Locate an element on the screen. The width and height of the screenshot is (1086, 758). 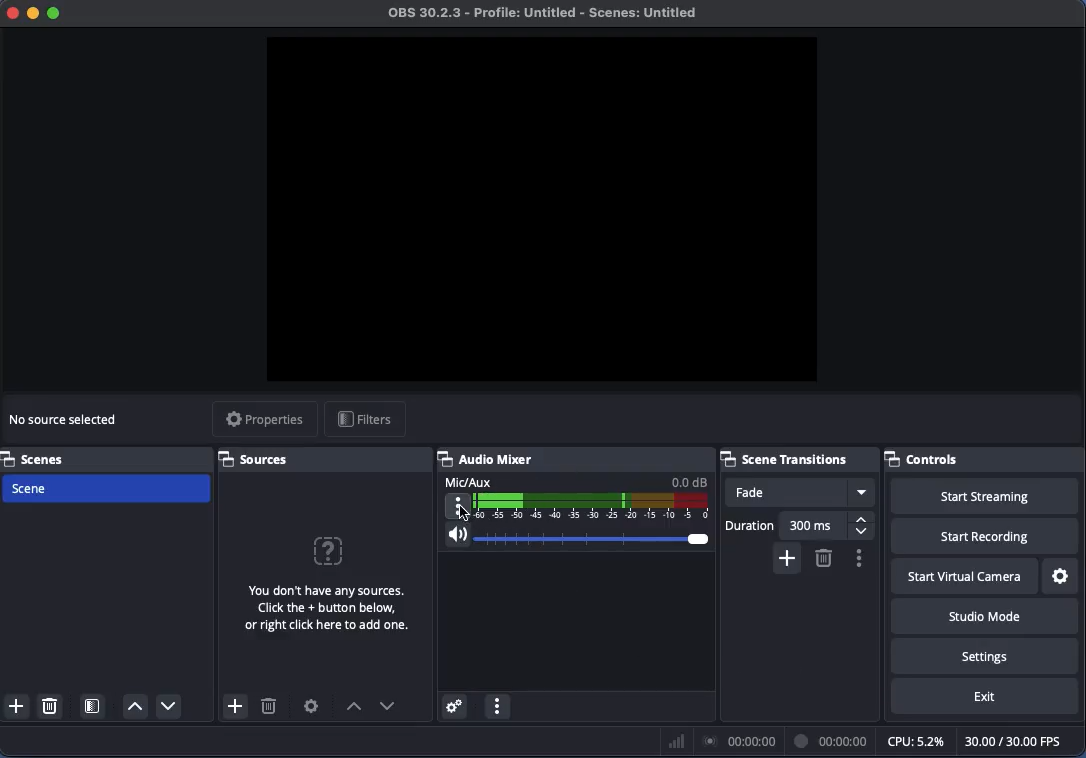
Volume is located at coordinates (575, 538).